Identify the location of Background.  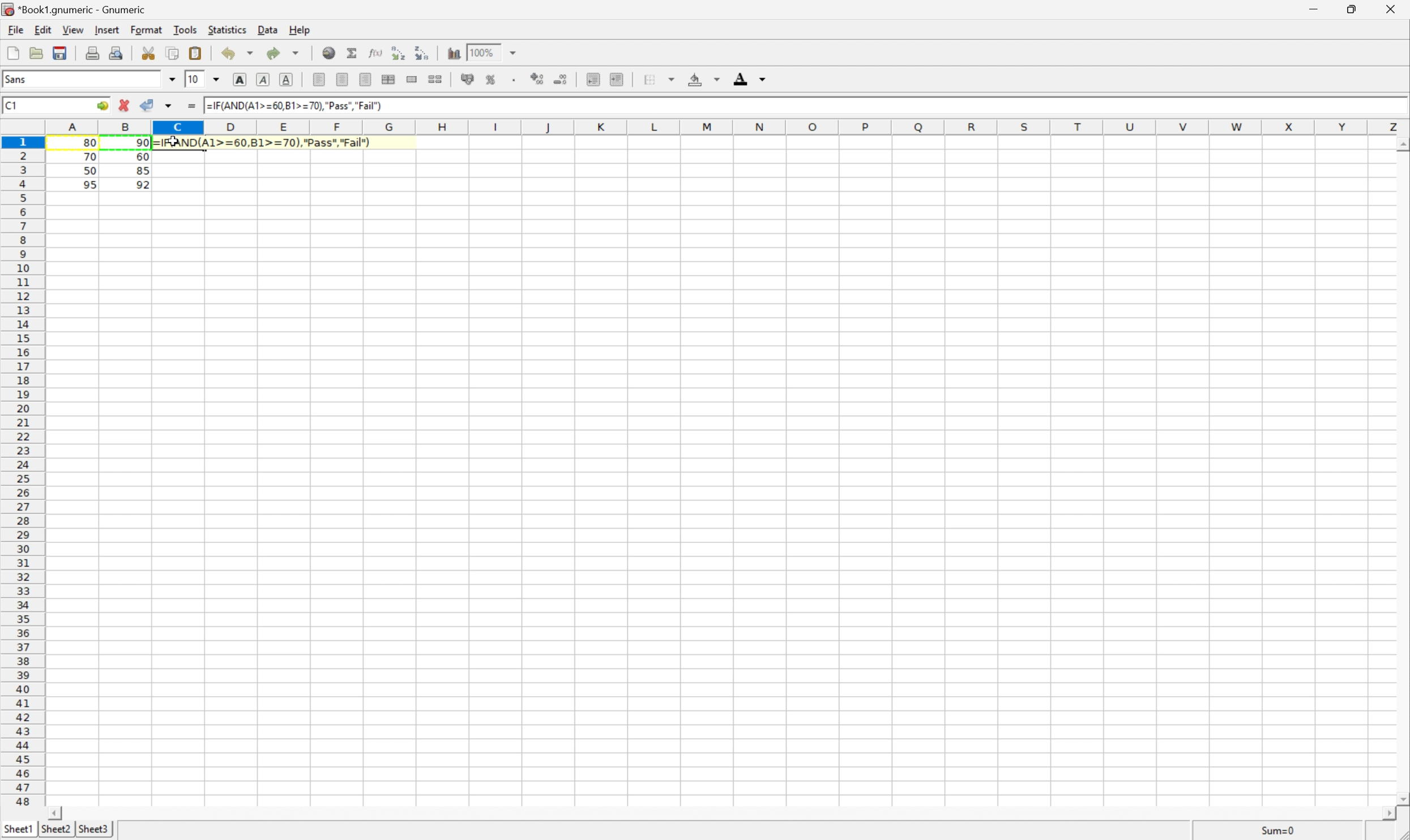
(704, 79).